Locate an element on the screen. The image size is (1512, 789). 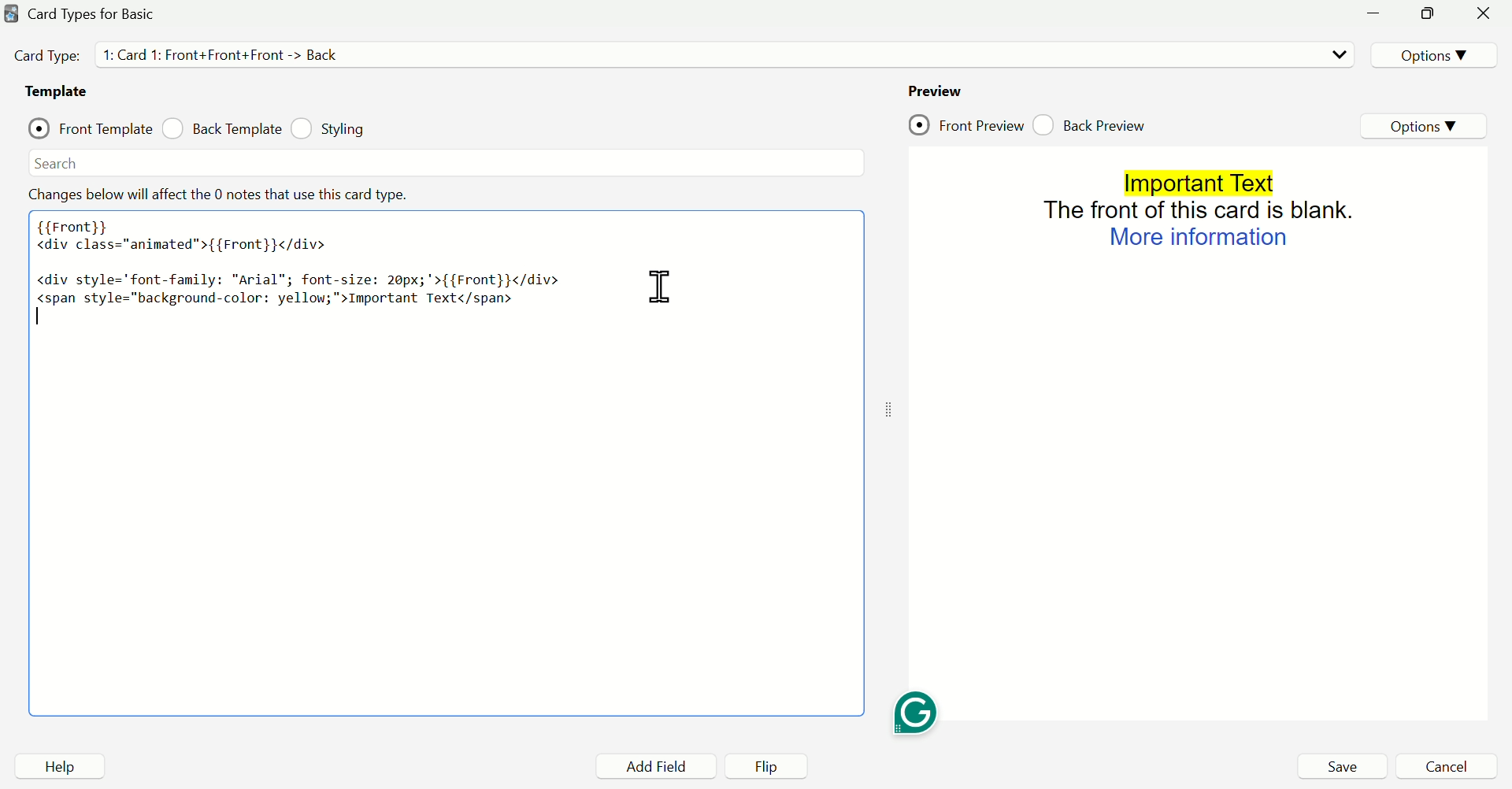
Help is located at coordinates (59, 765).